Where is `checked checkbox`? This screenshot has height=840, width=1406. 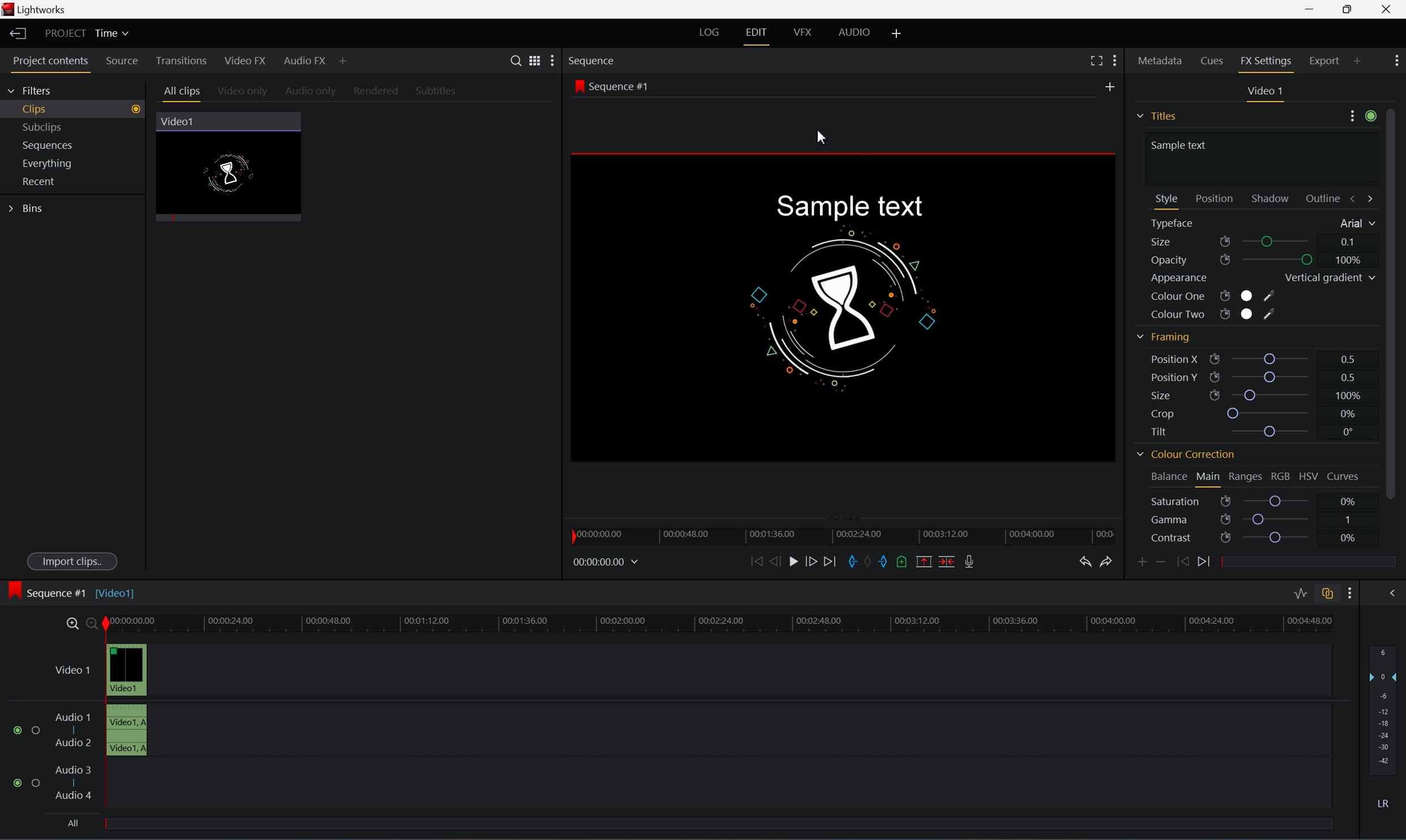
checked checkbox is located at coordinates (20, 783).